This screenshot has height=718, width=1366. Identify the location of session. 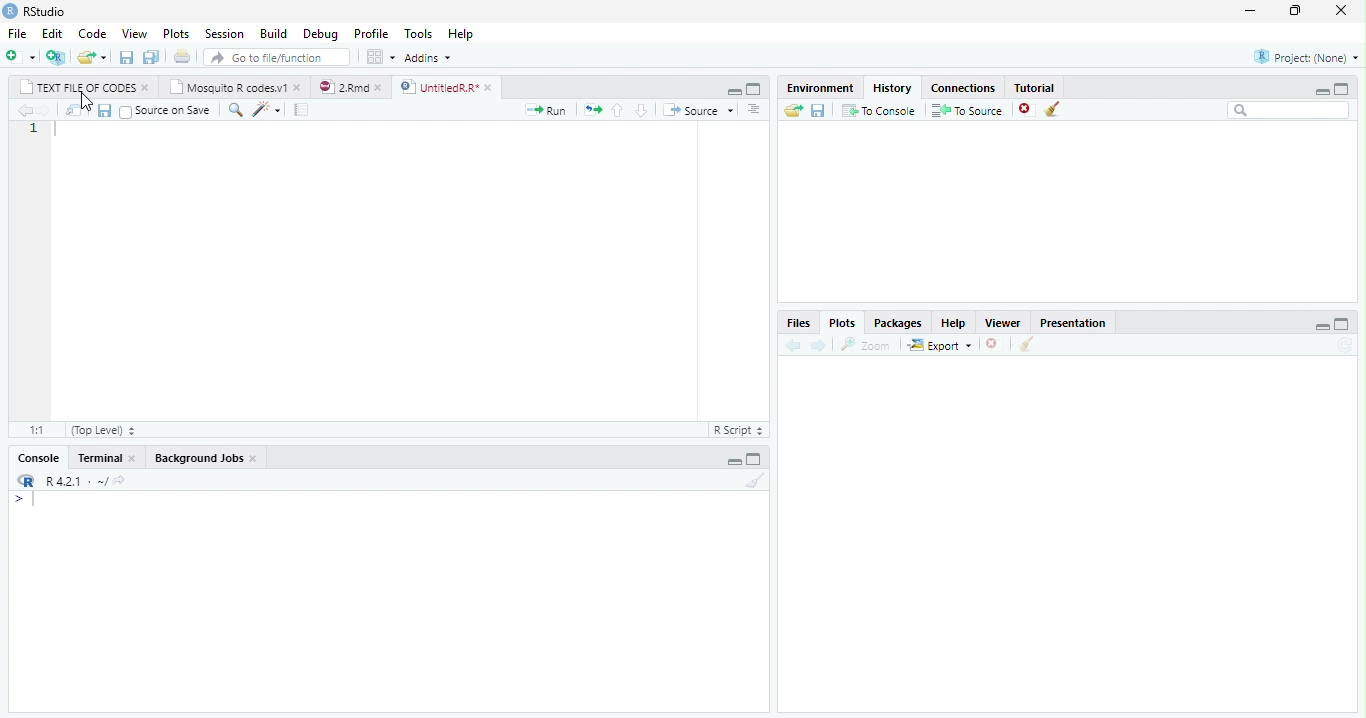
(222, 33).